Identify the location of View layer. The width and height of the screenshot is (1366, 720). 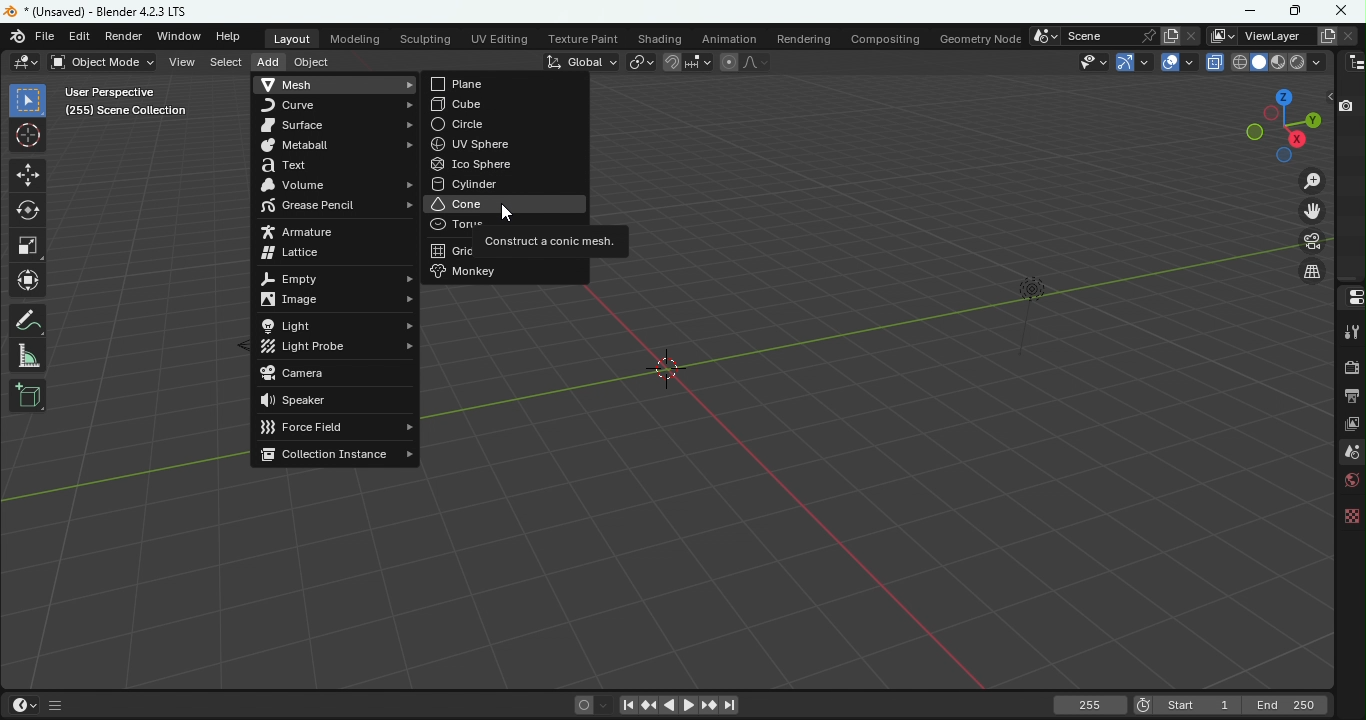
(1350, 427).